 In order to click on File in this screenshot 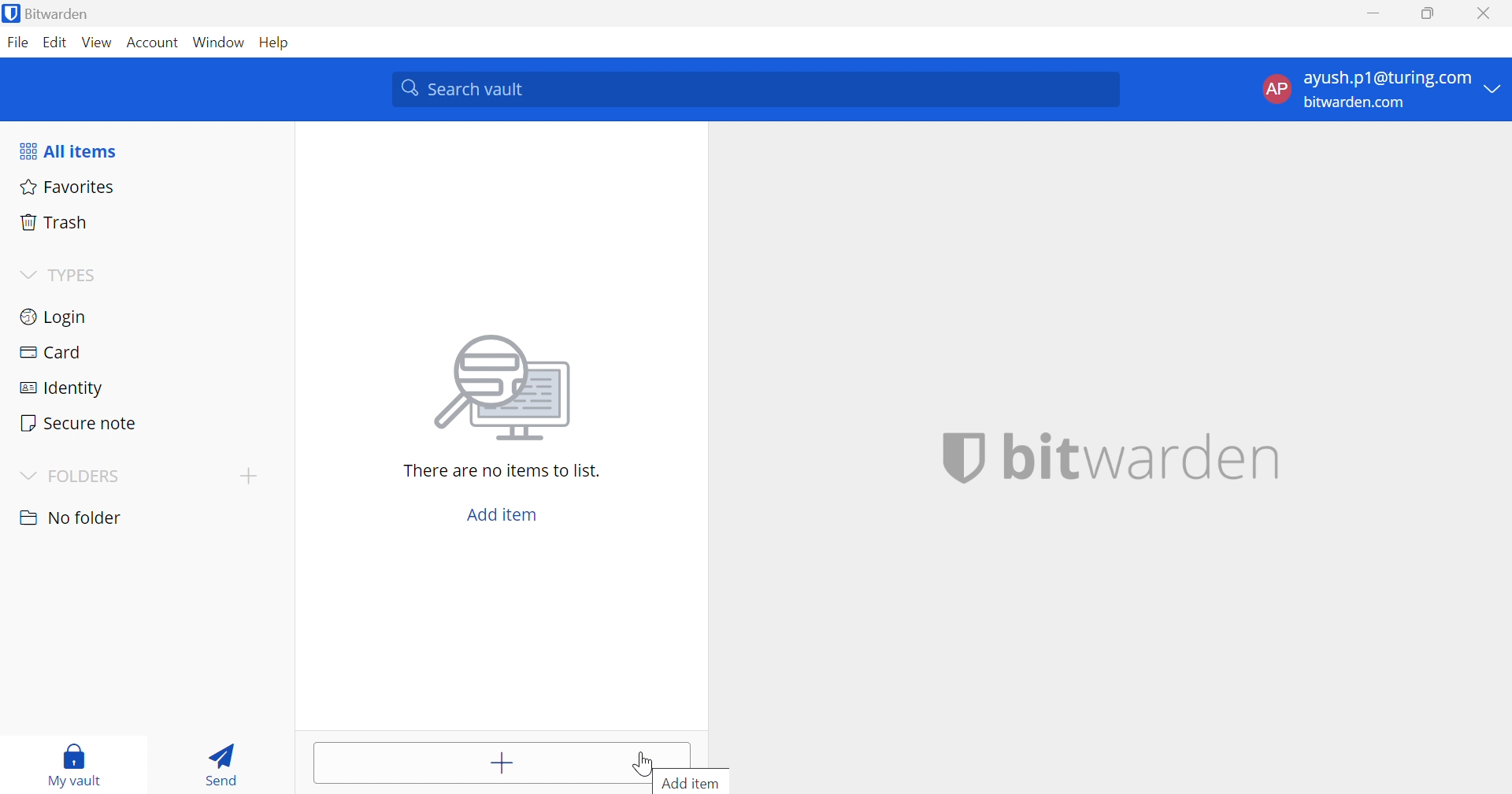, I will do `click(17, 42)`.